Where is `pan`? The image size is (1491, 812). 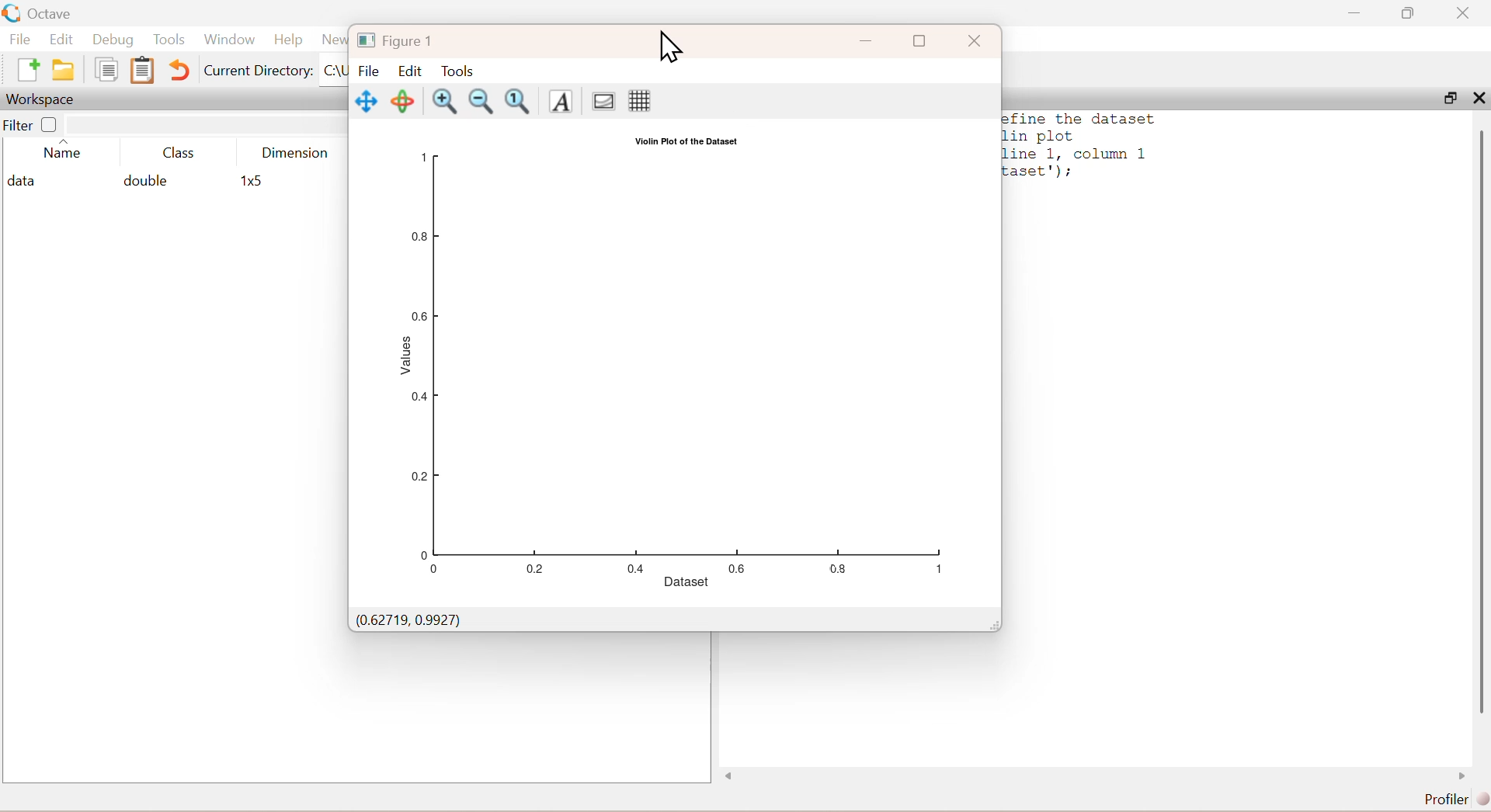 pan is located at coordinates (367, 102).